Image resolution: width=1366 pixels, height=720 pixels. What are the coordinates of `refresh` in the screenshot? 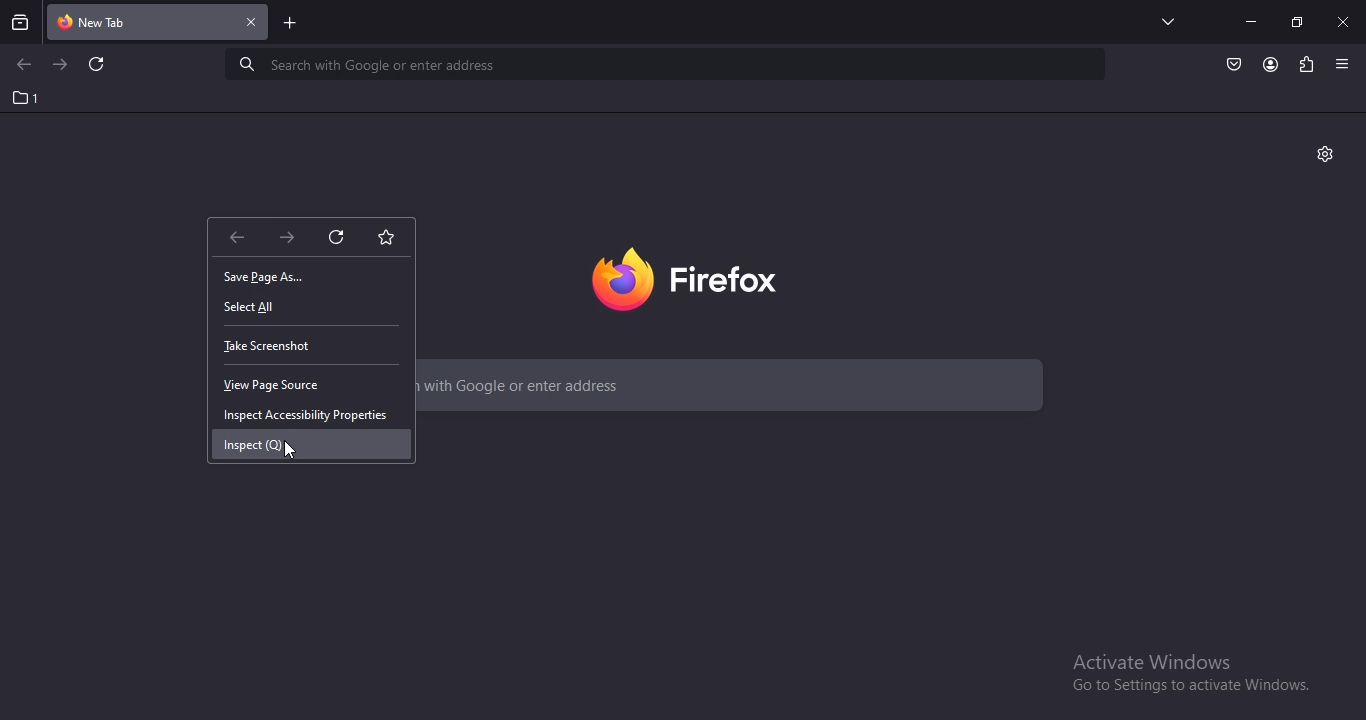 It's located at (98, 66).